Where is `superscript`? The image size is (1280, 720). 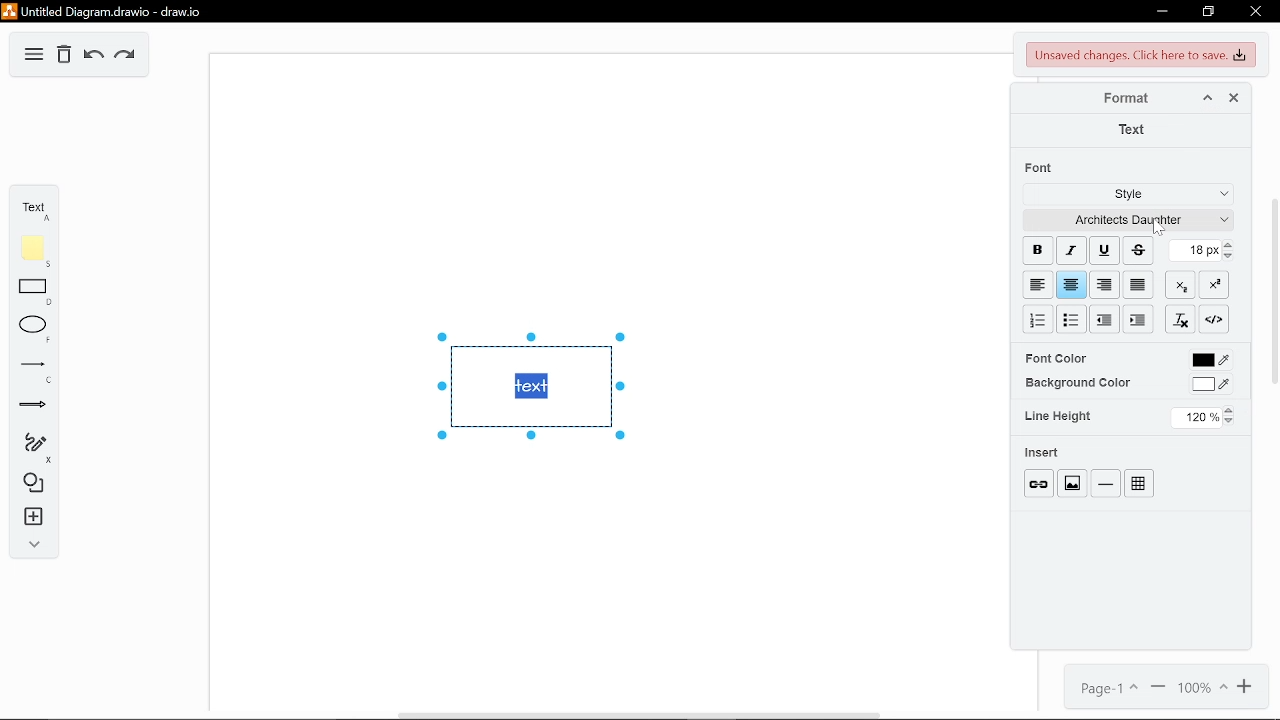 superscript is located at coordinates (1214, 284).